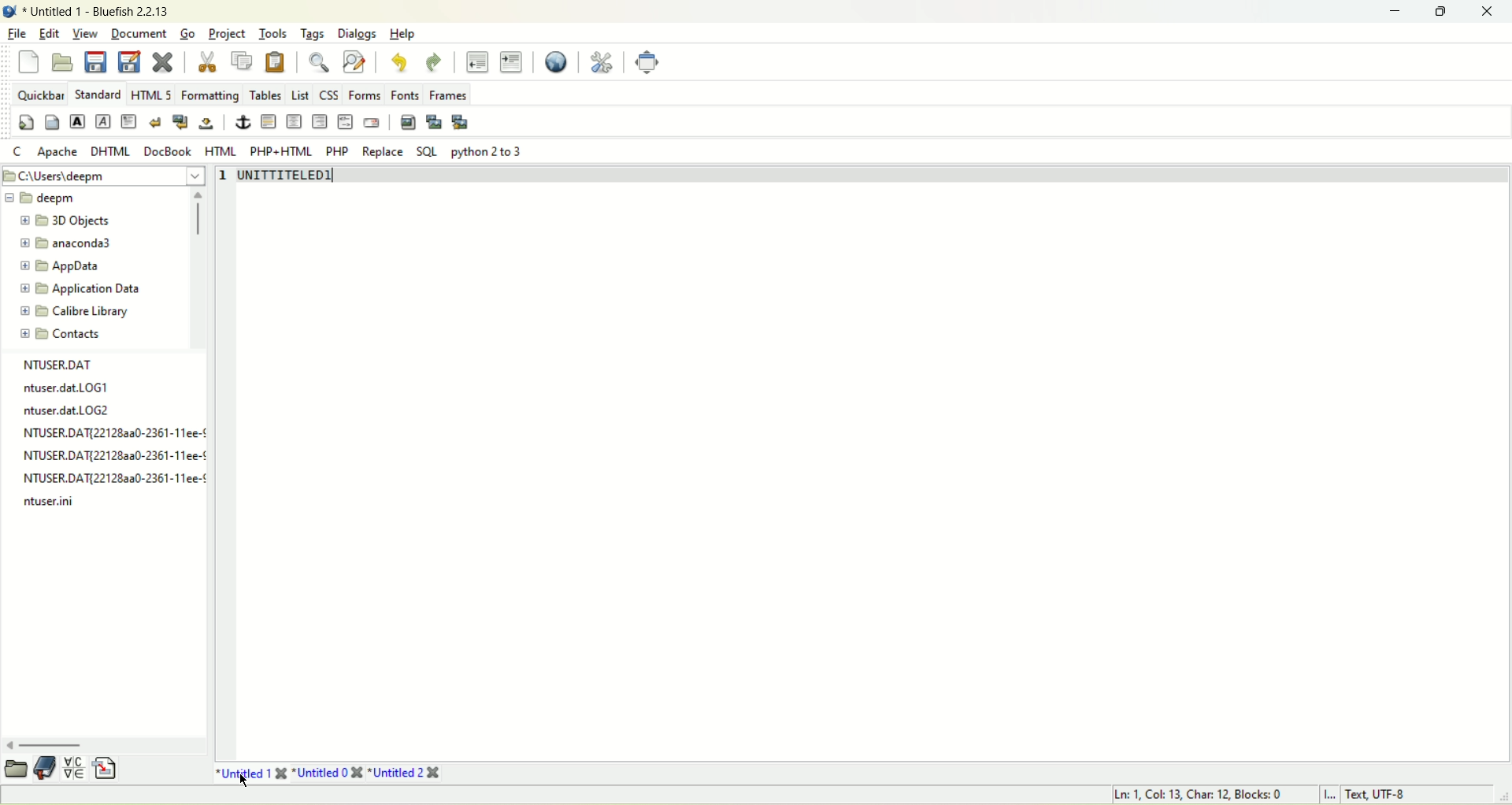  Describe the element at coordinates (126, 121) in the screenshot. I see `paragraph ` at that location.